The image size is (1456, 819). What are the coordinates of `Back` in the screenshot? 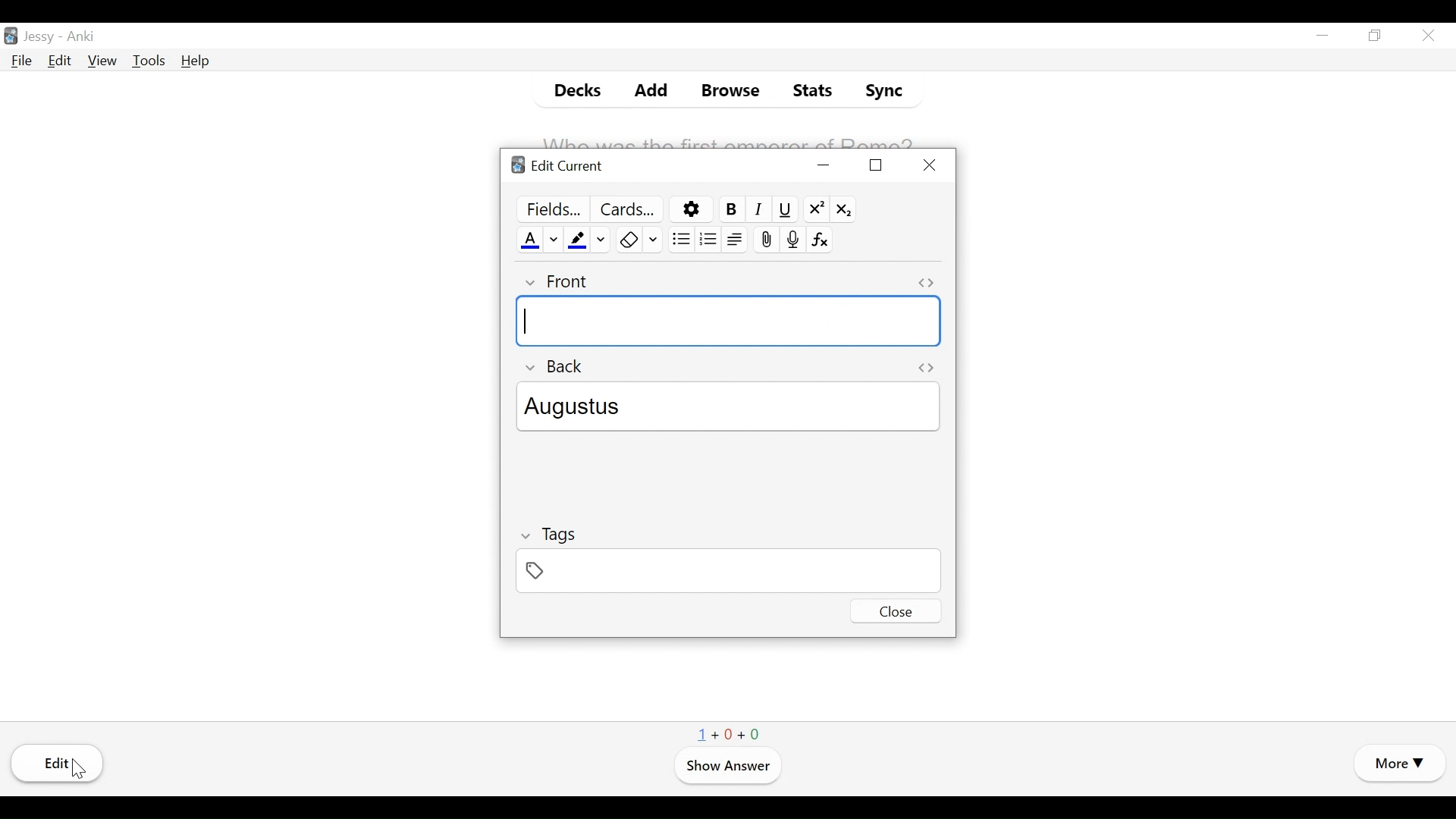 It's located at (554, 366).